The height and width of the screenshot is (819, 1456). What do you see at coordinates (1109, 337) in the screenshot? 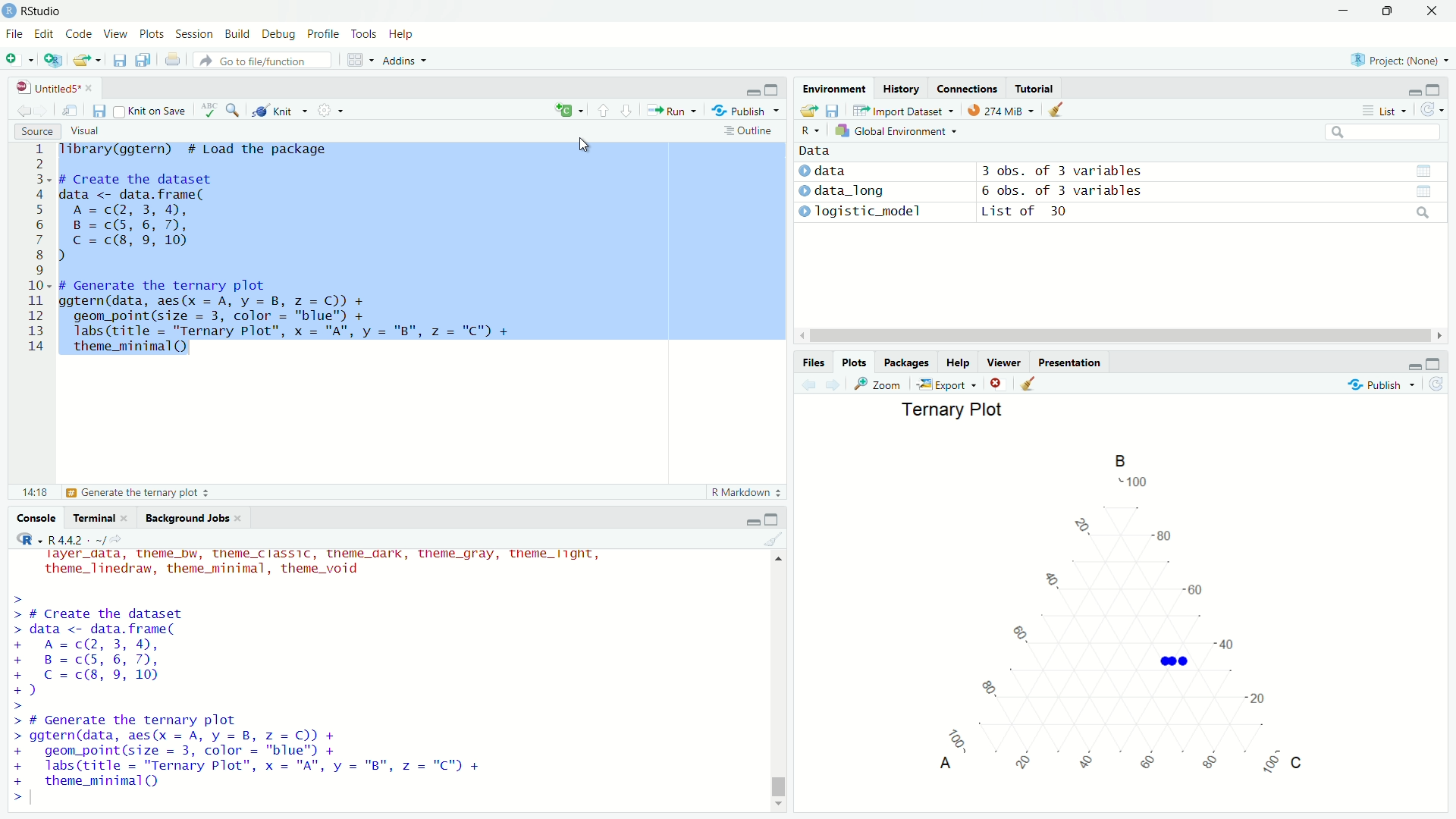
I see `cursor` at bounding box center [1109, 337].